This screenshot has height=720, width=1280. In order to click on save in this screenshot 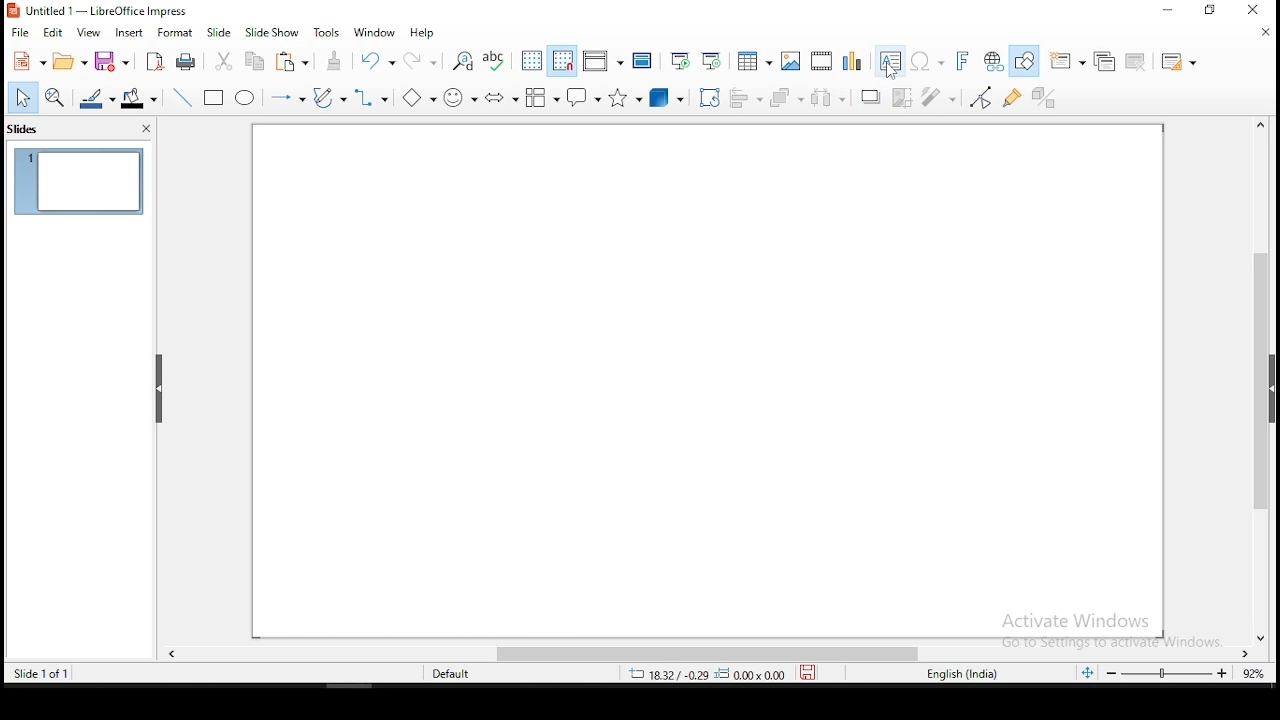, I will do `click(808, 672)`.